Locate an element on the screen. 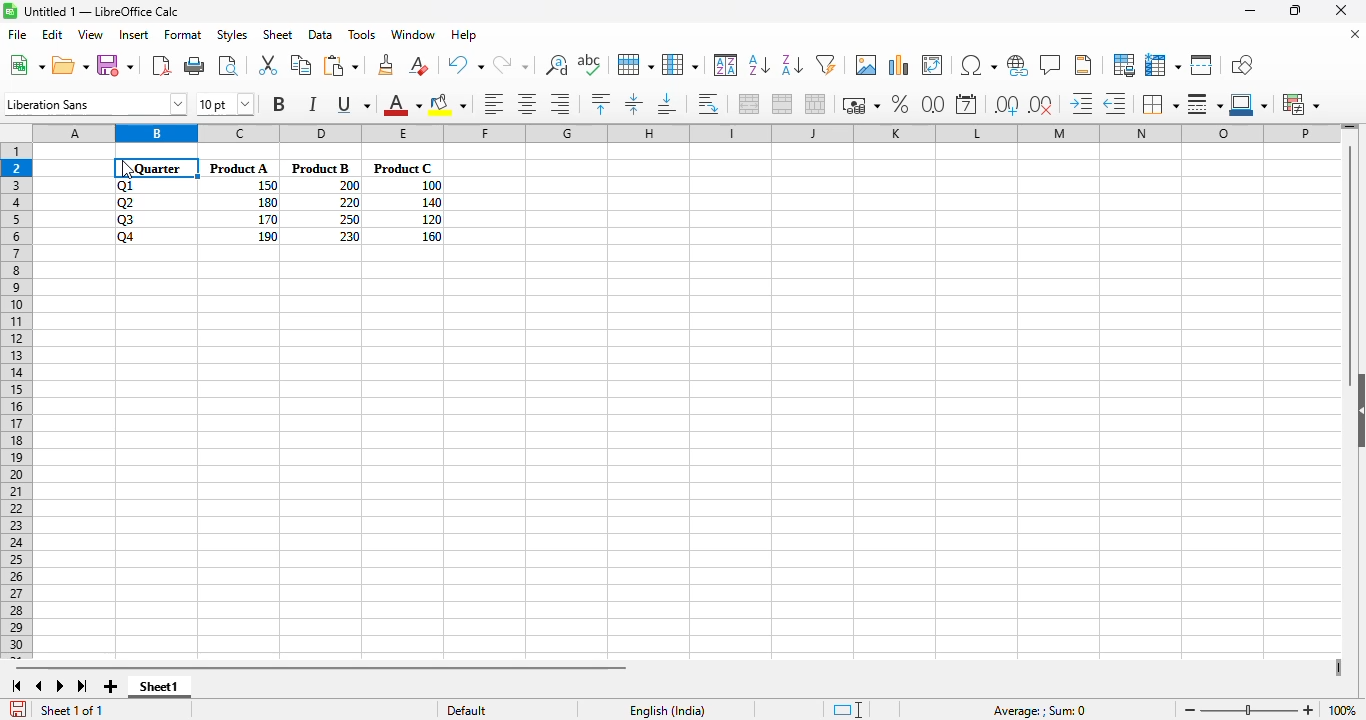 The image size is (1366, 720). Untitled 1 — LibreOffice Calc is located at coordinates (102, 11).